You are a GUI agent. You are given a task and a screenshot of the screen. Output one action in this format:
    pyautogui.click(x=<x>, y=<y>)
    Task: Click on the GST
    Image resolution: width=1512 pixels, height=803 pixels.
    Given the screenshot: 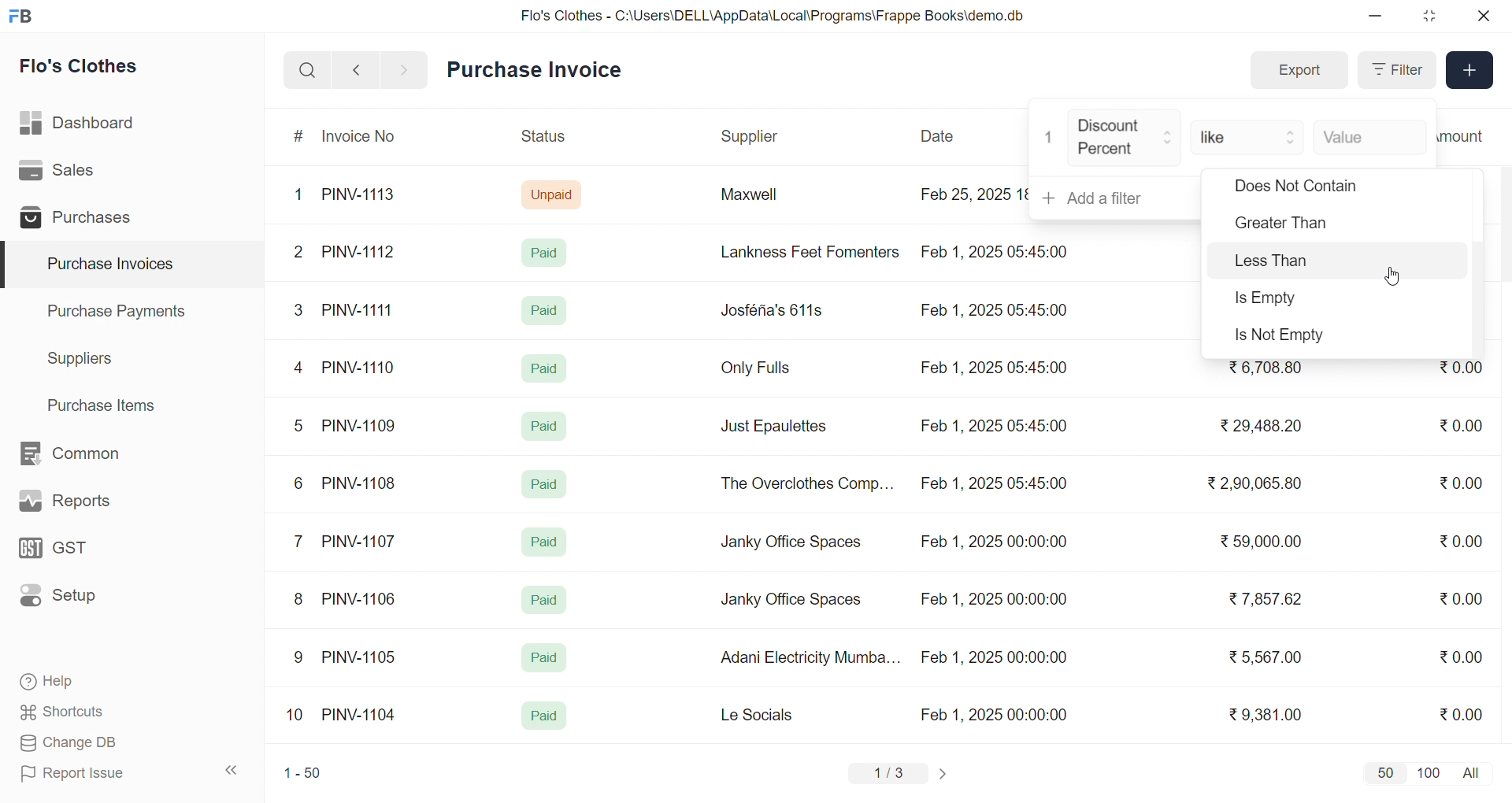 What is the action you would take?
    pyautogui.click(x=82, y=553)
    